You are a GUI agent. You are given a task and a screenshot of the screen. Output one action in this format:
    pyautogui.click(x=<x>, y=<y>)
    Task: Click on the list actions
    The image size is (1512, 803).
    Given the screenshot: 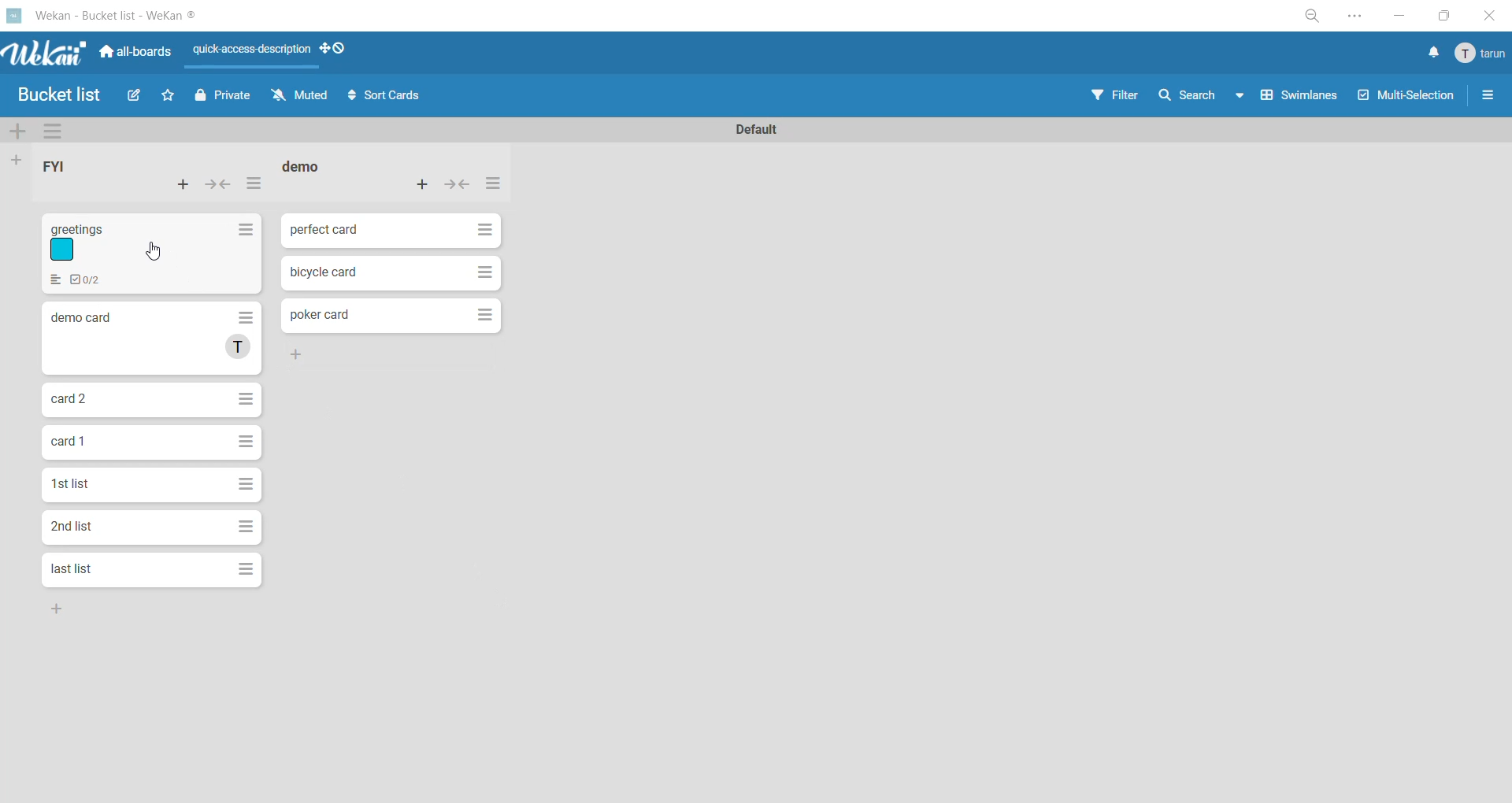 What is the action you would take?
    pyautogui.click(x=495, y=187)
    